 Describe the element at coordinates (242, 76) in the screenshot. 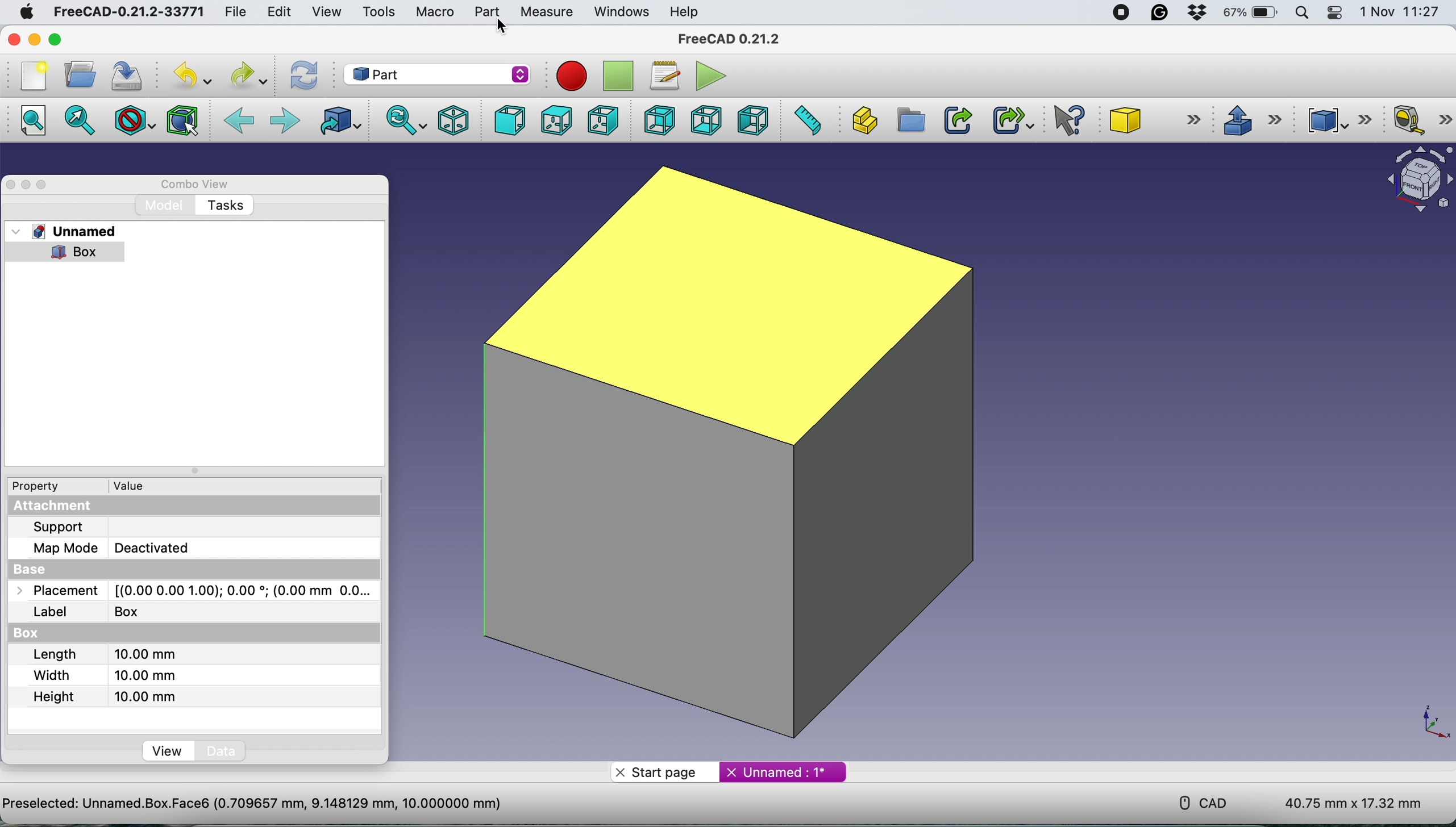

I see `redo` at that location.